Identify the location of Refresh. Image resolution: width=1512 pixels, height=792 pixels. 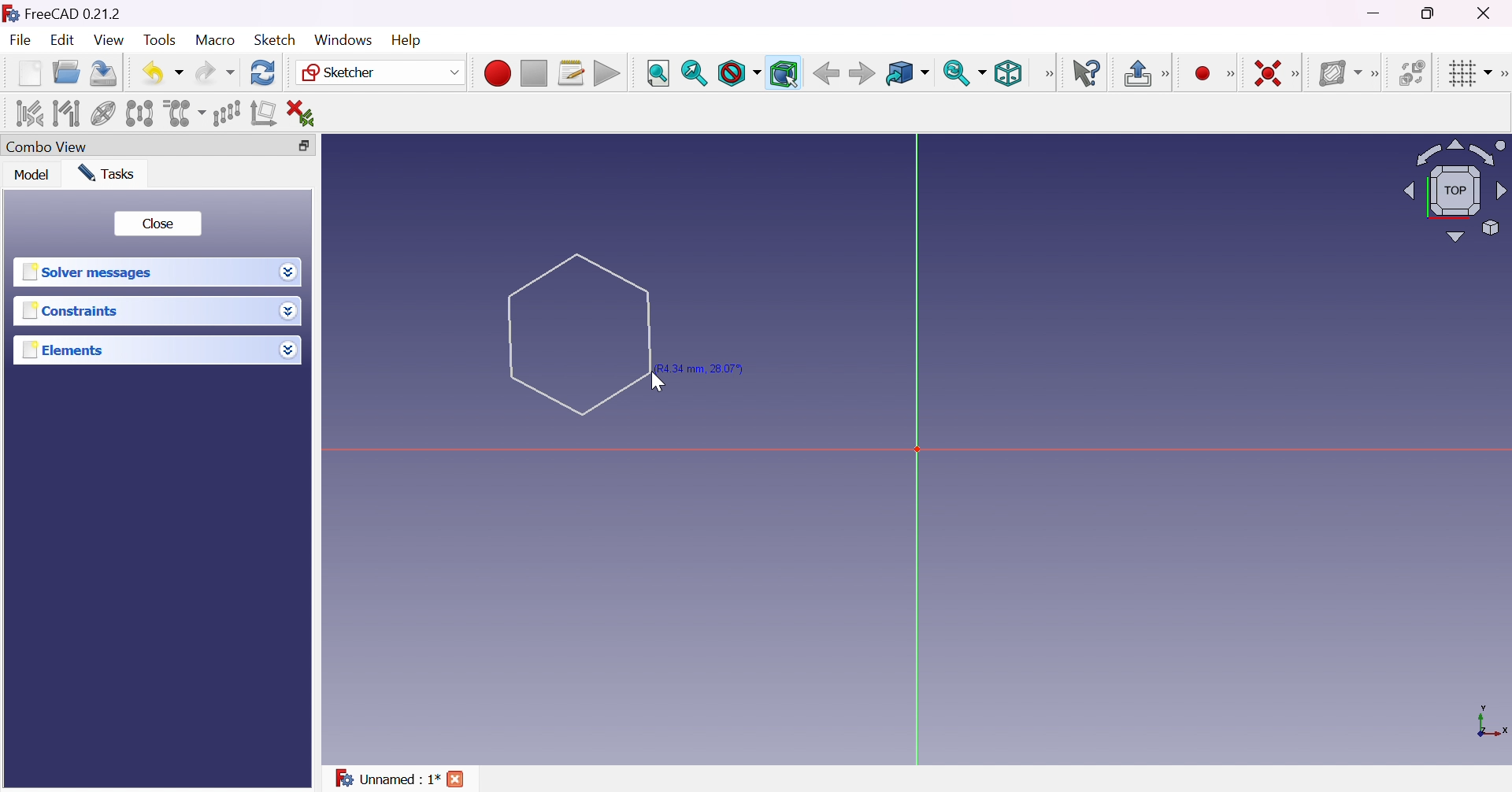
(265, 73).